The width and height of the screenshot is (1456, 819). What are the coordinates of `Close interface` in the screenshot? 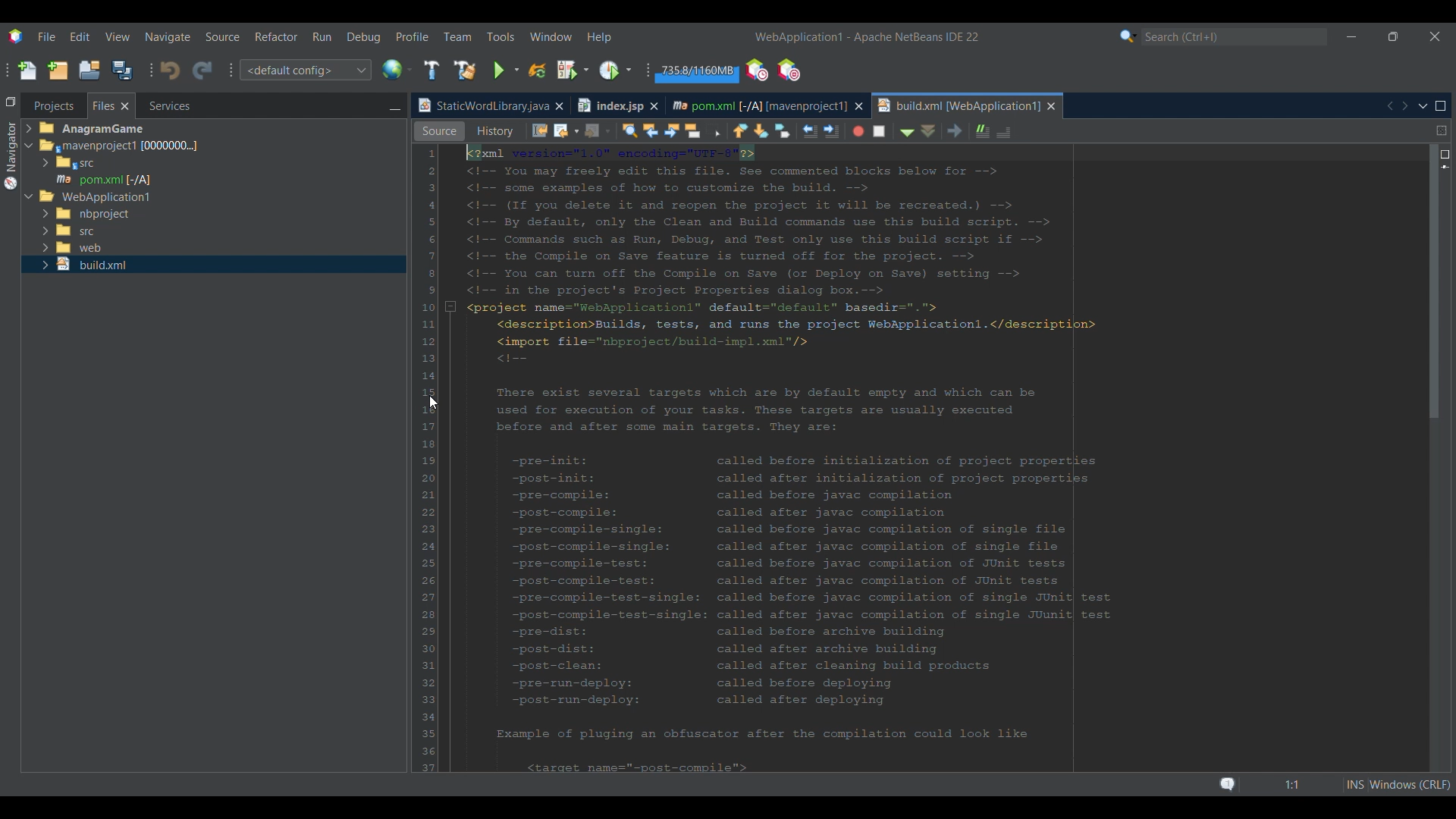 It's located at (1436, 36).